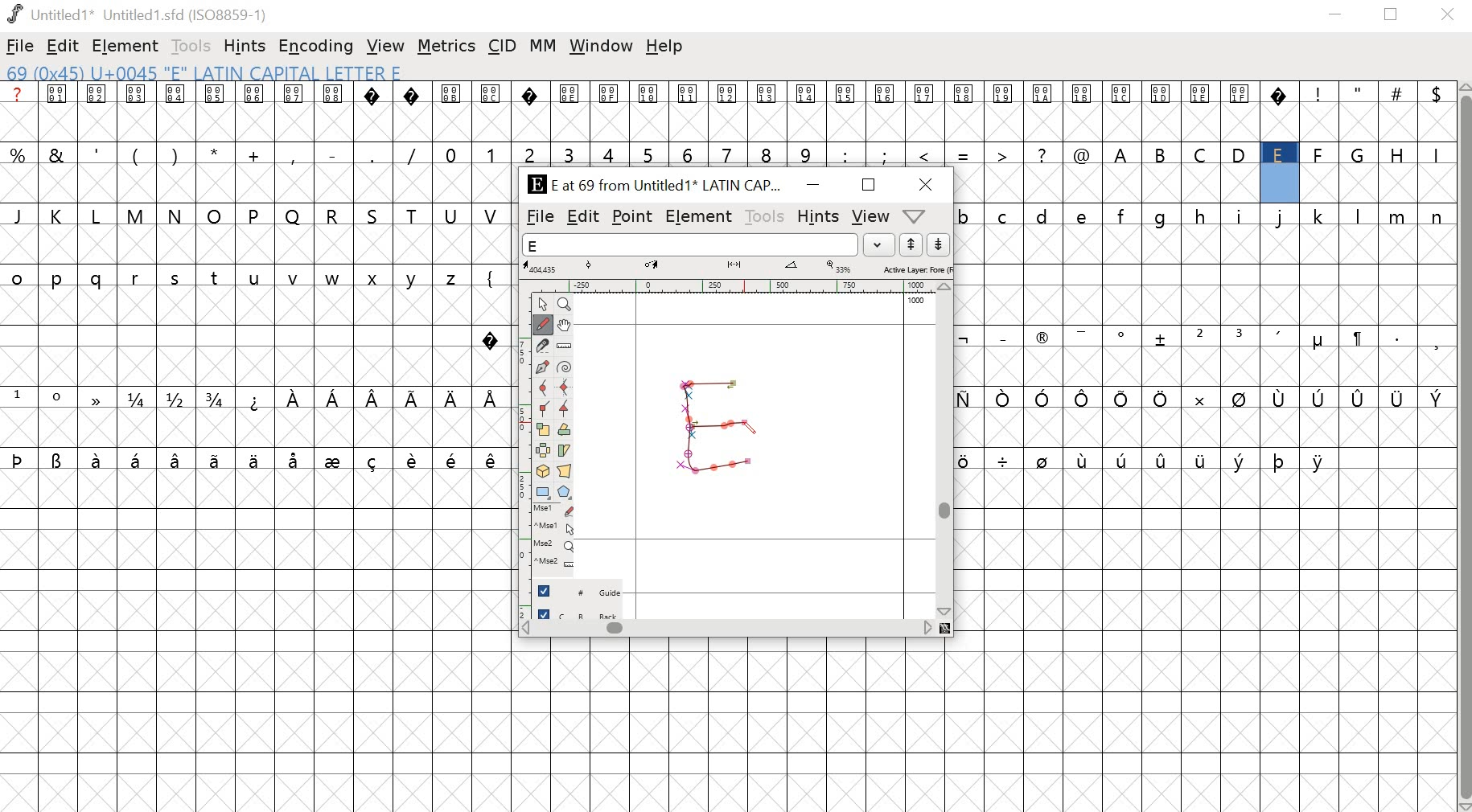 The height and width of the screenshot is (812, 1472). Describe the element at coordinates (1206, 461) in the screenshot. I see `special characters and empty cells` at that location.